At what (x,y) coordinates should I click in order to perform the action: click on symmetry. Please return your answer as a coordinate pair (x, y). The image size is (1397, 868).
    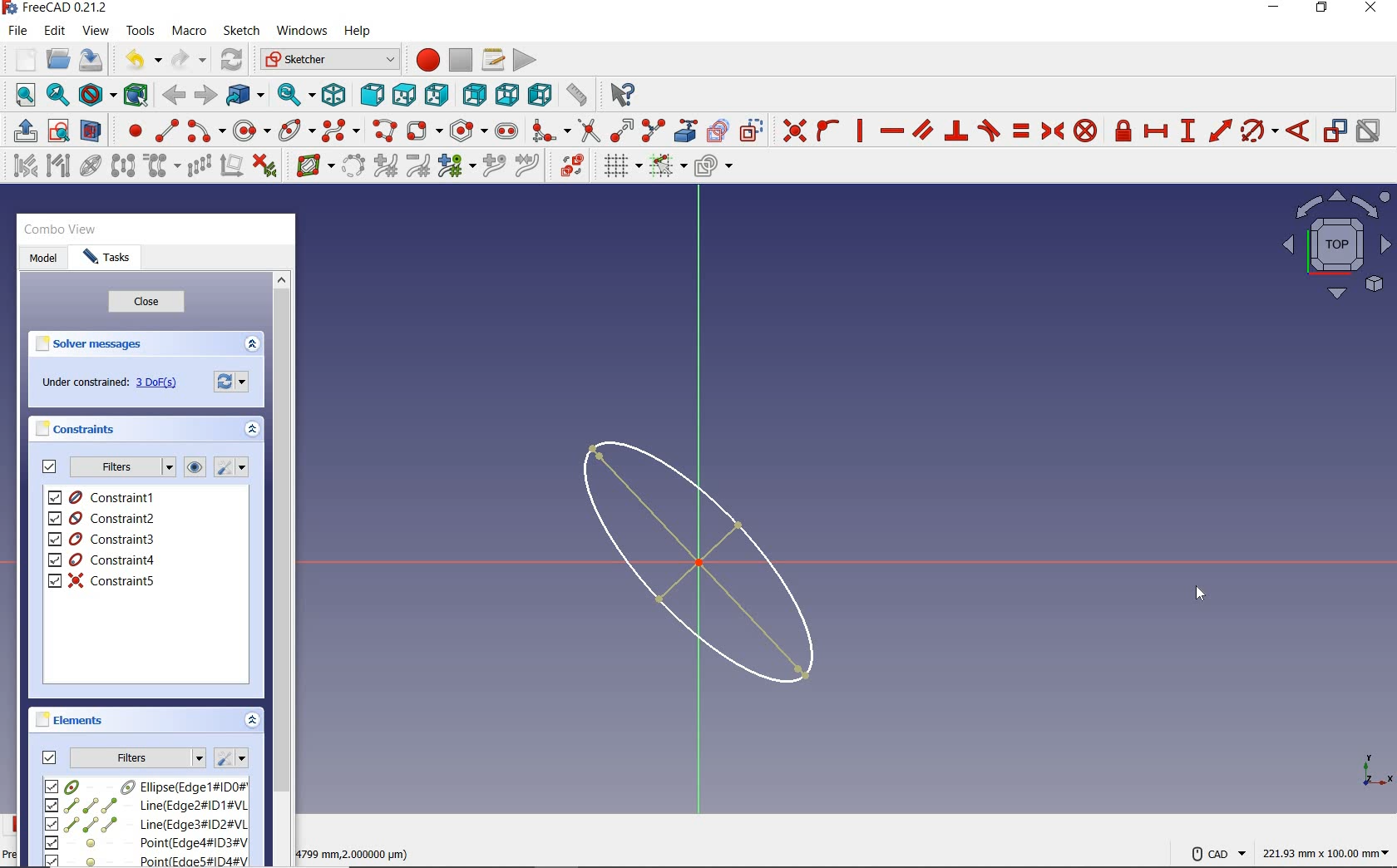
    Looking at the image, I should click on (124, 165).